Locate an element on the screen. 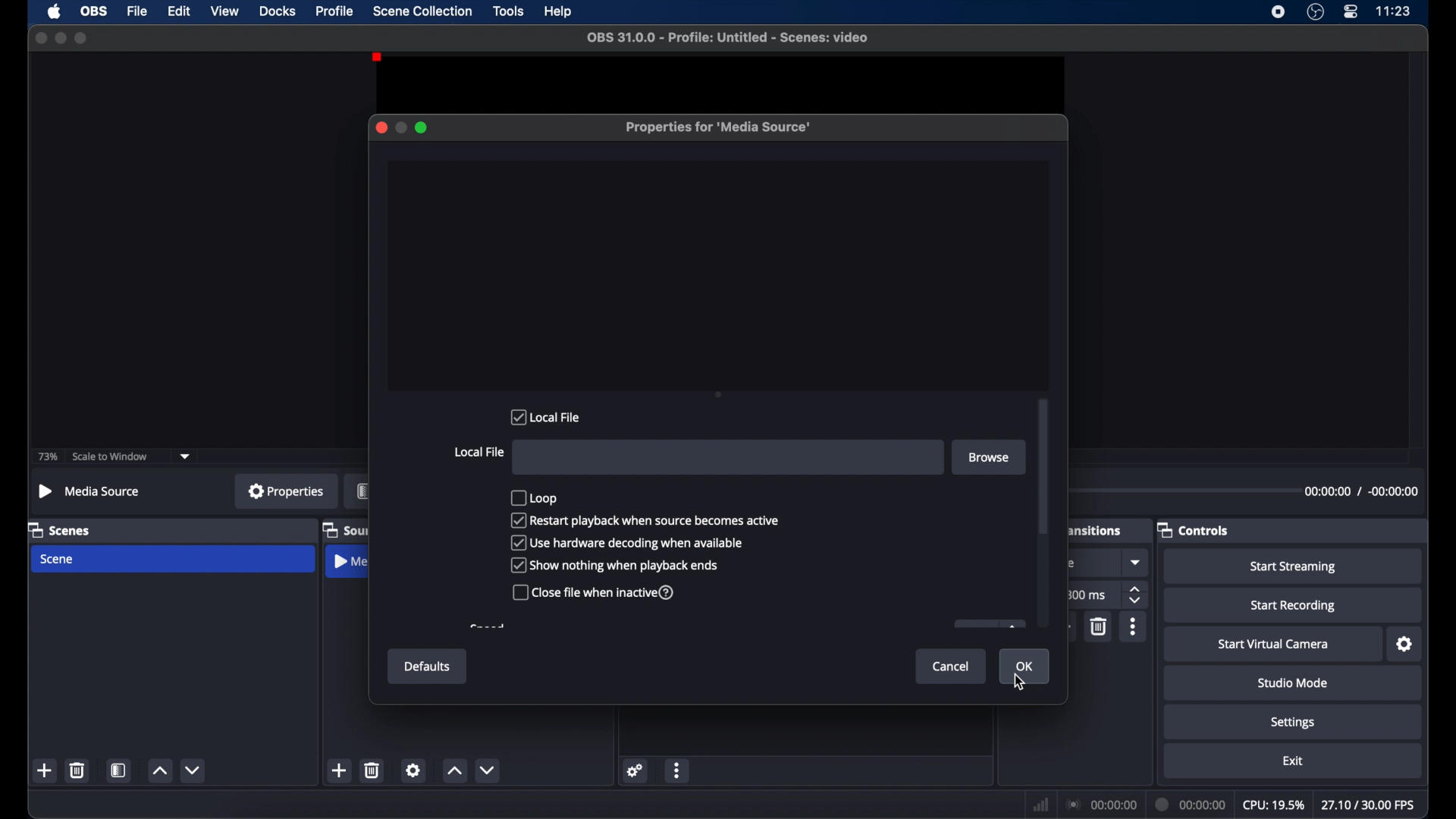 This screenshot has height=819, width=1456. show nothing when playback ends is located at coordinates (615, 565).